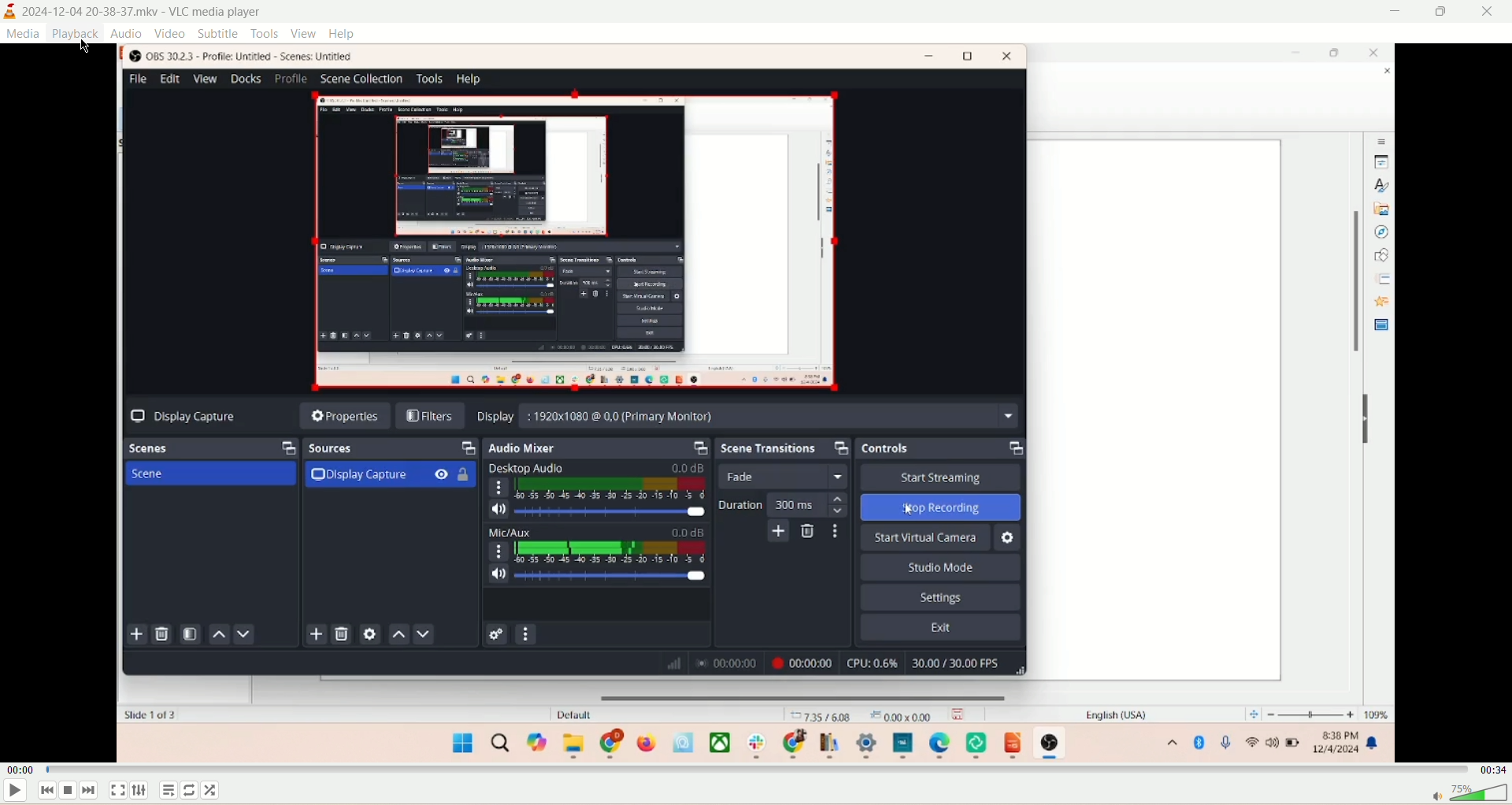  What do you see at coordinates (303, 32) in the screenshot?
I see `view` at bounding box center [303, 32].